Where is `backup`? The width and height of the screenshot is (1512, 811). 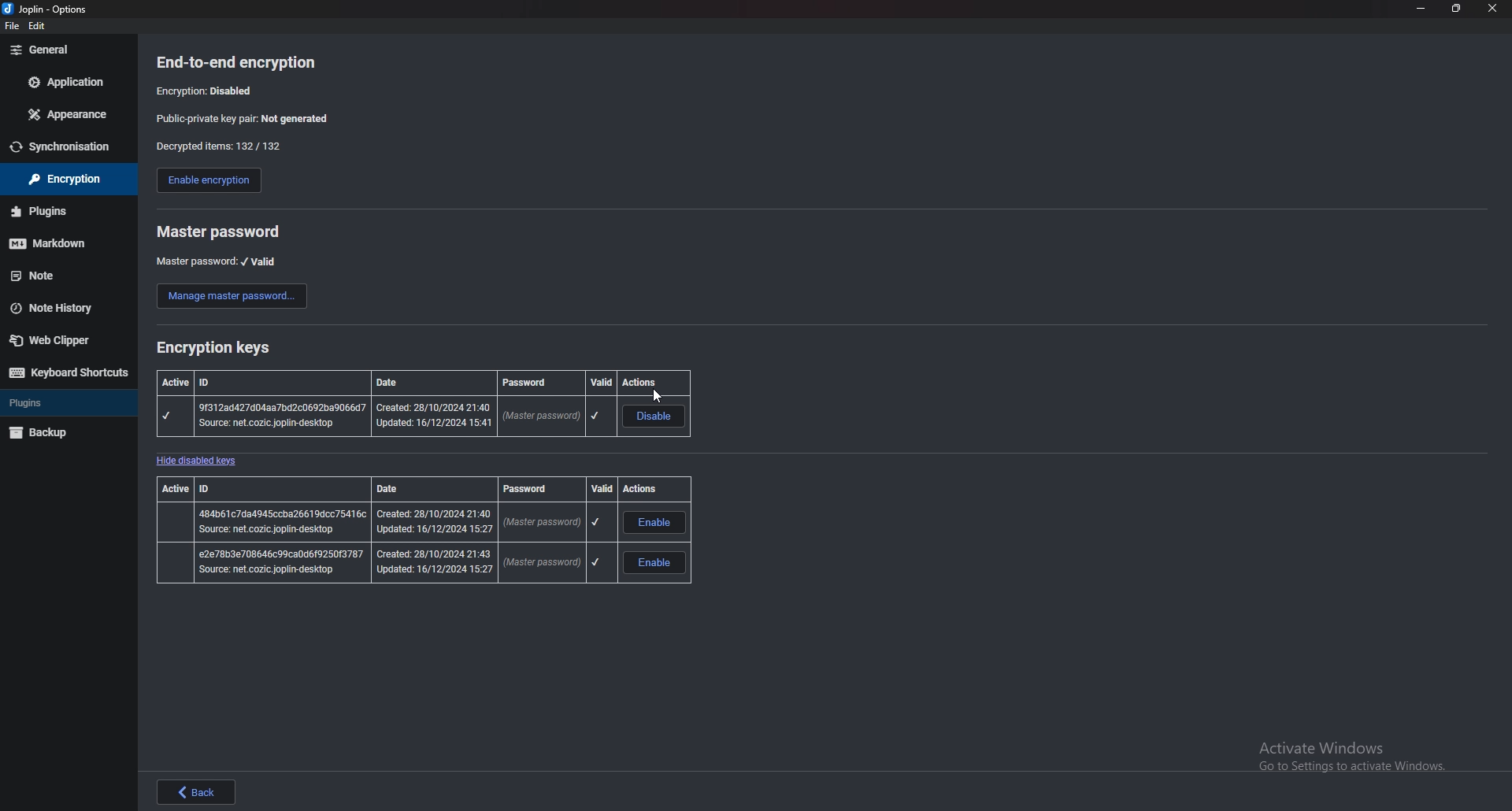 backup is located at coordinates (64, 434).